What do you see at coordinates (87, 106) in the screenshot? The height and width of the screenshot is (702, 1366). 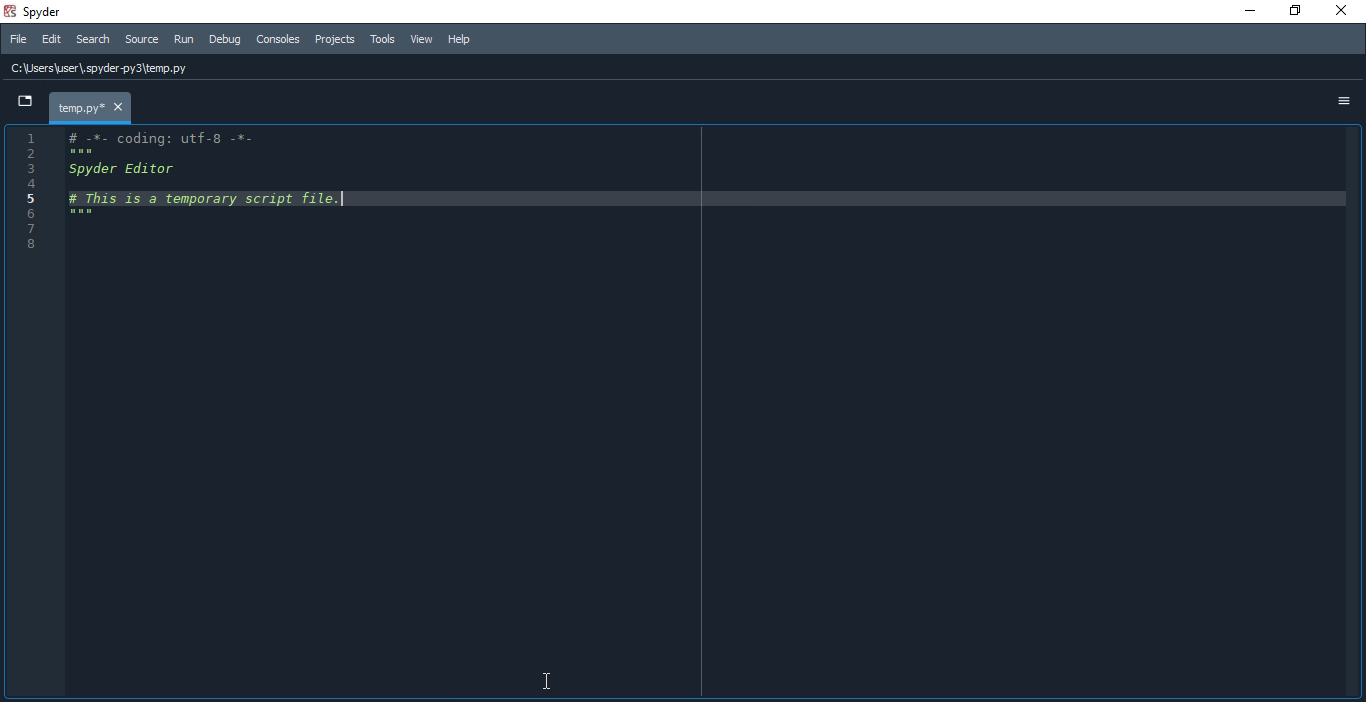 I see `tab title` at bounding box center [87, 106].